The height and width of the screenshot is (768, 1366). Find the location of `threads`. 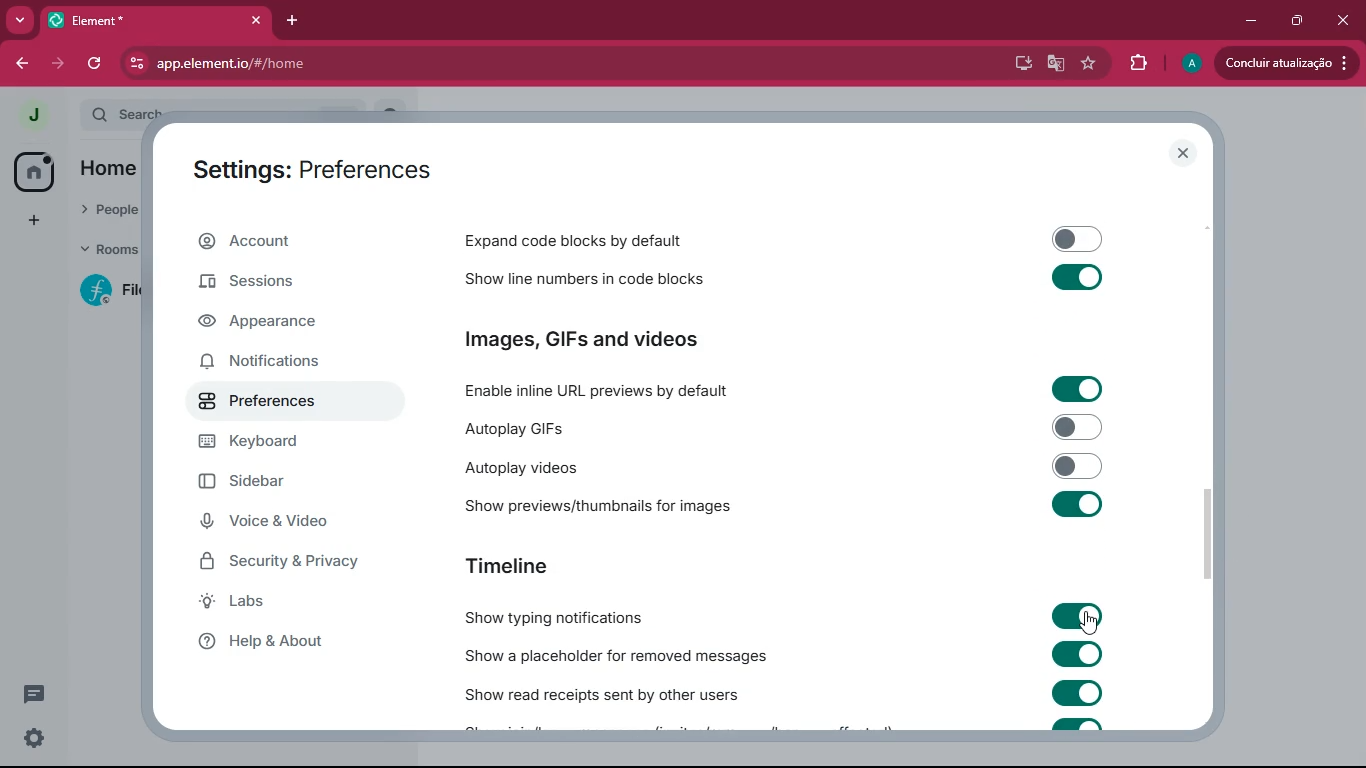

threads is located at coordinates (36, 693).